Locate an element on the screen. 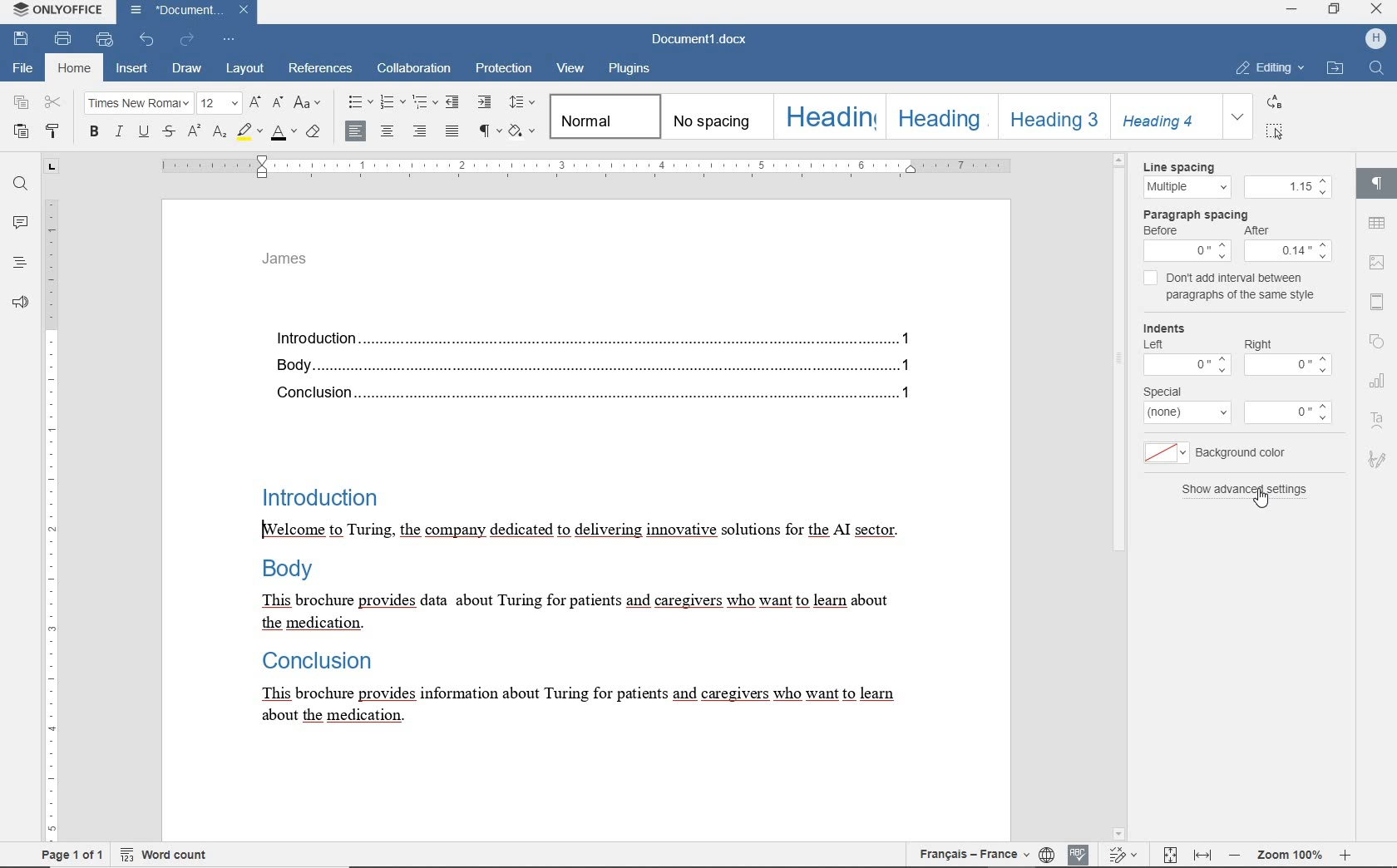  signature is located at coordinates (1380, 462).